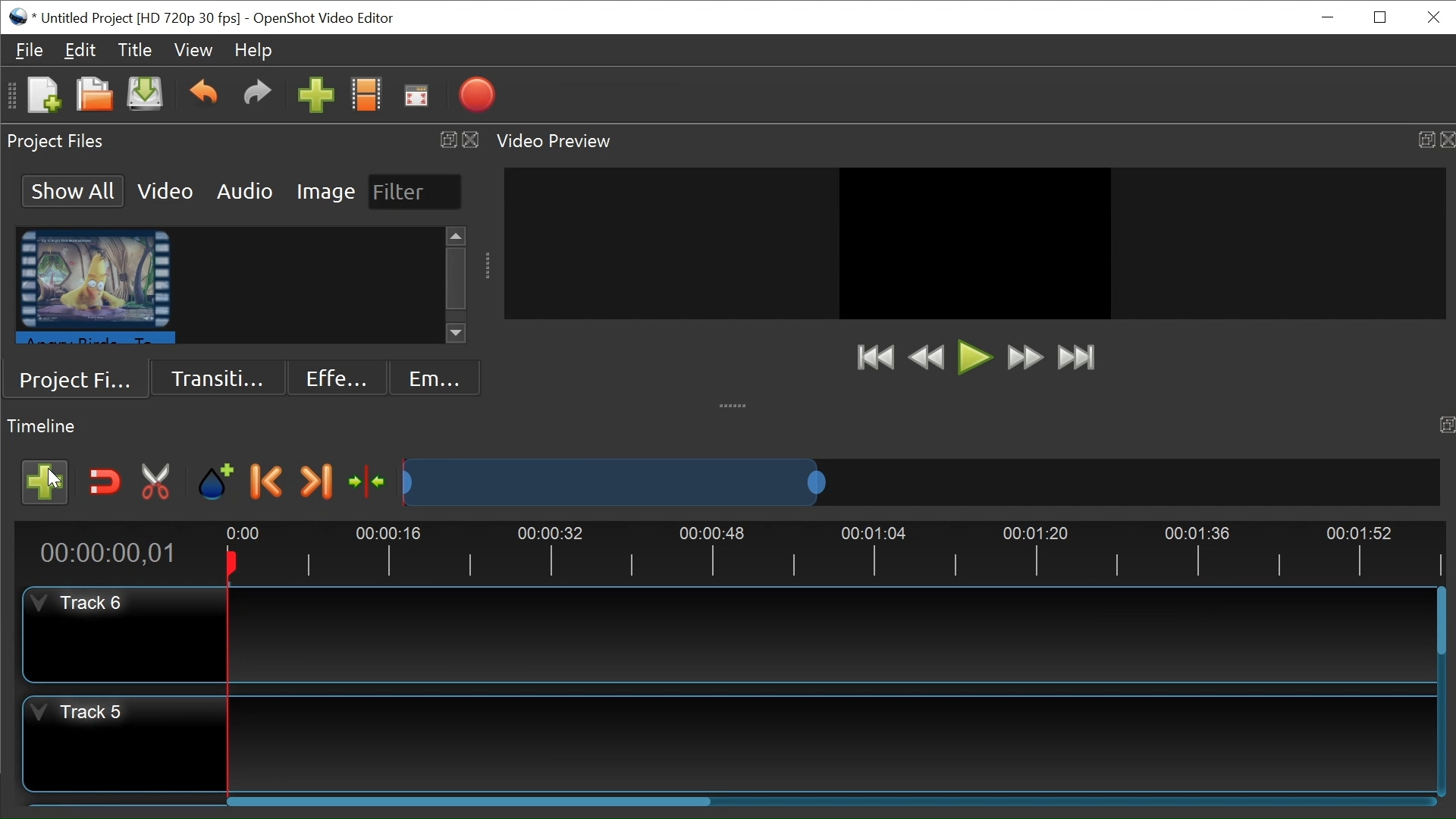  I want to click on Center timeline at playhead, so click(369, 480).